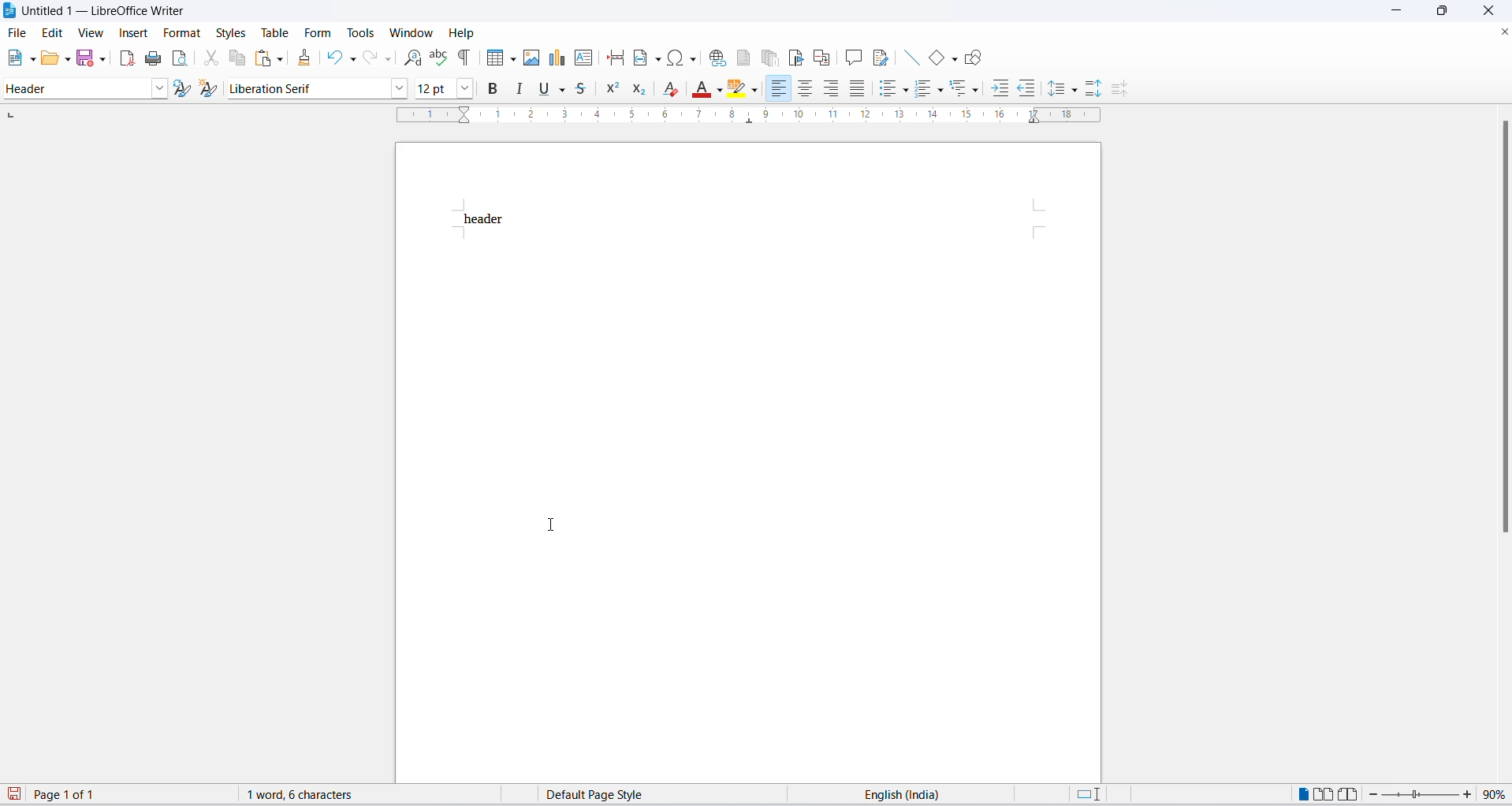 The image size is (1512, 806). What do you see at coordinates (32, 58) in the screenshot?
I see `file  options` at bounding box center [32, 58].